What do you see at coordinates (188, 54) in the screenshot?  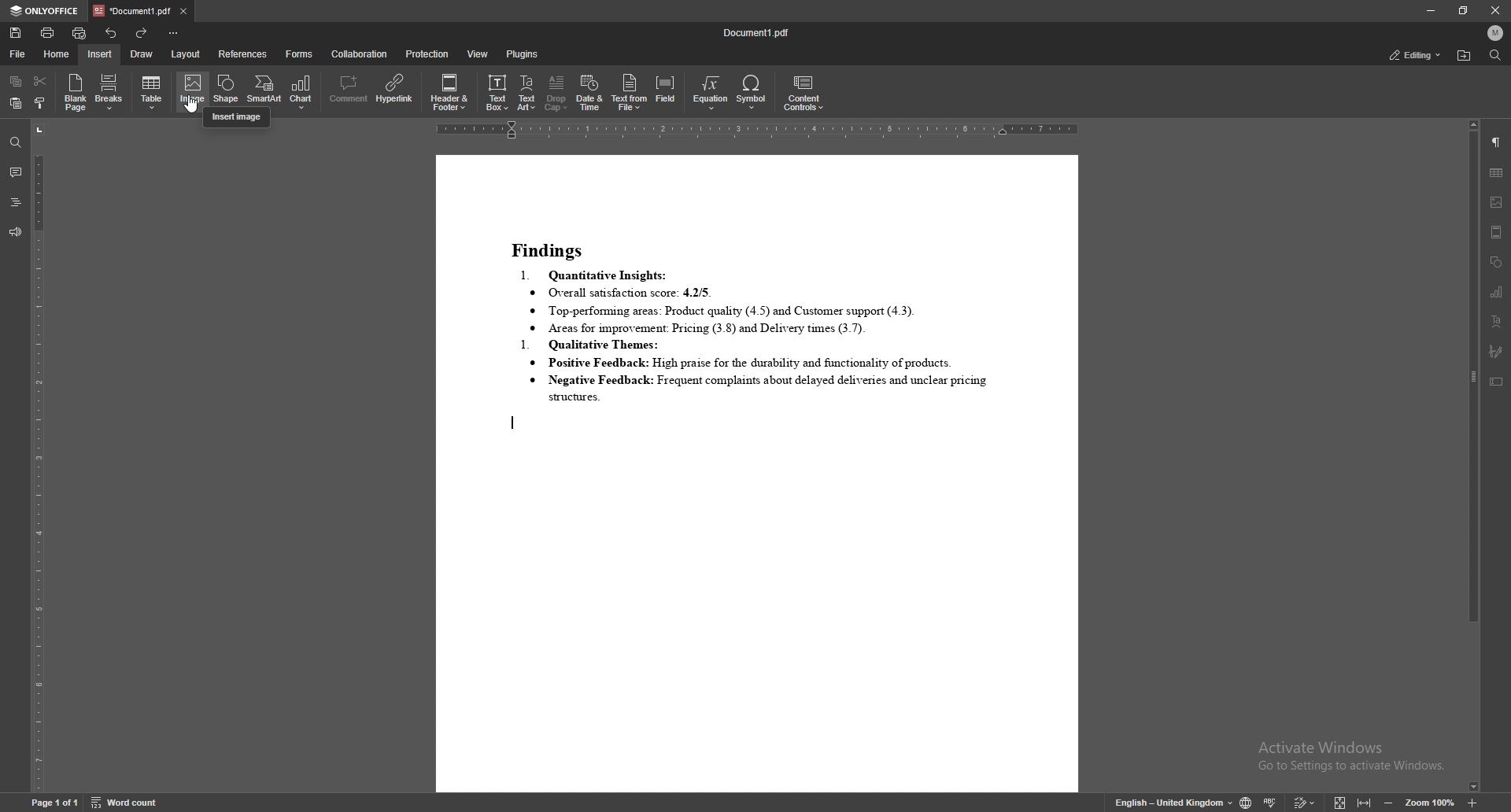 I see `layout` at bounding box center [188, 54].